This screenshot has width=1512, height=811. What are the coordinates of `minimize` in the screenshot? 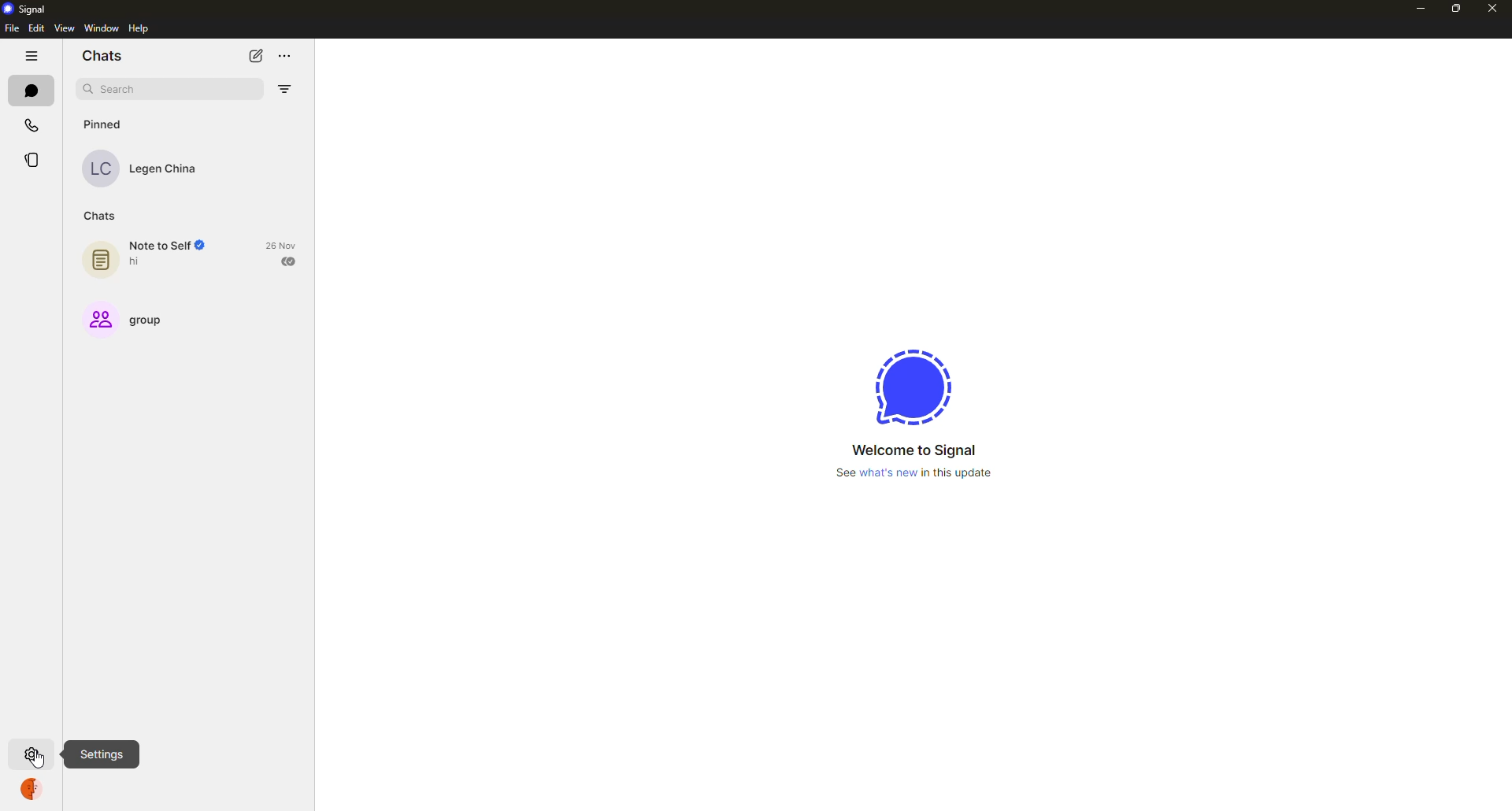 It's located at (1420, 8).